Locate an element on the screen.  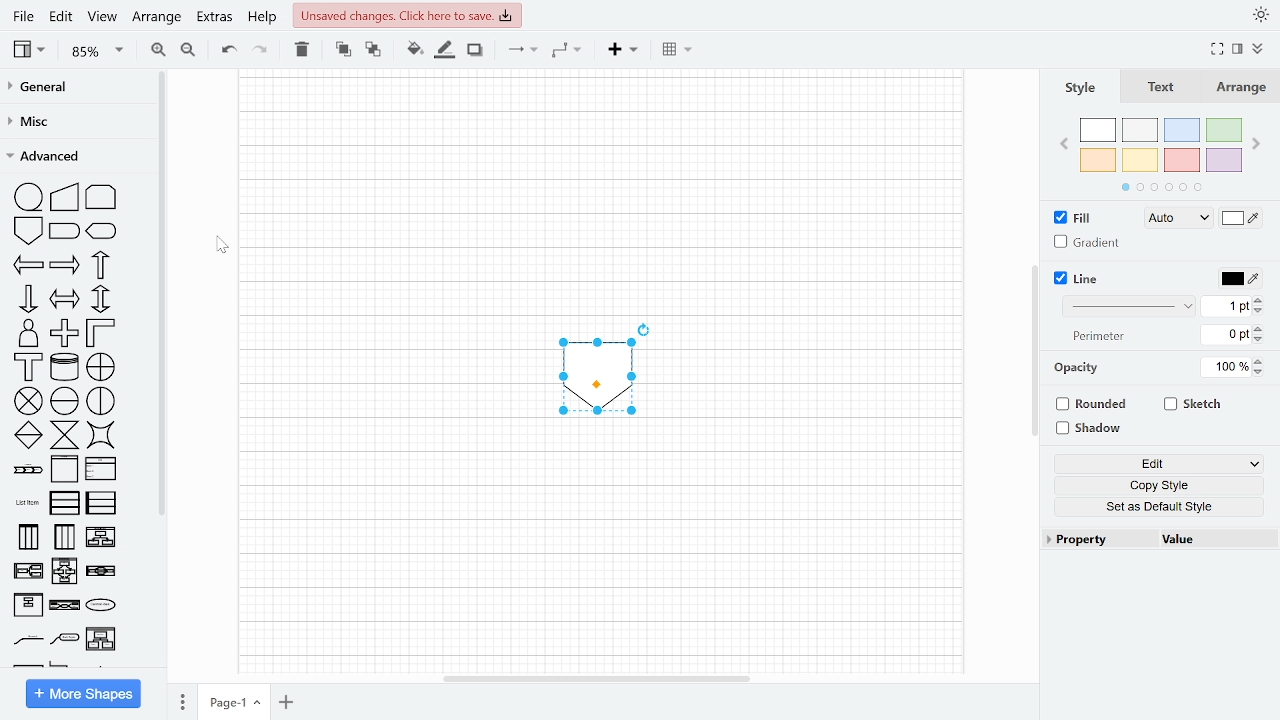
Opacity is located at coordinates (1078, 368).